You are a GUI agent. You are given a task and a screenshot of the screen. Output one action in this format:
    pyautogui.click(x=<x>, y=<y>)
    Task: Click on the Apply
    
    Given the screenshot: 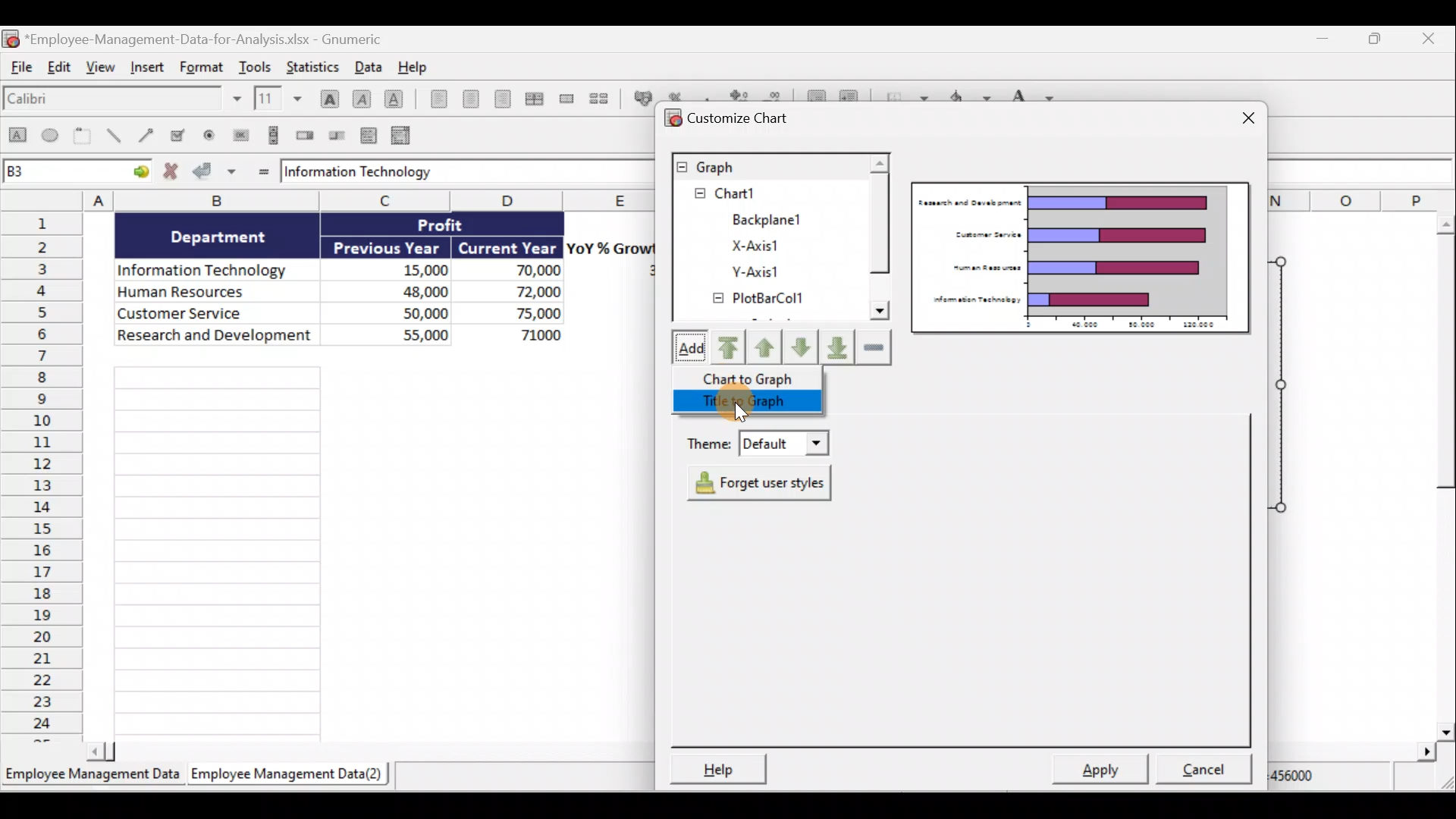 What is the action you would take?
    pyautogui.click(x=1106, y=769)
    